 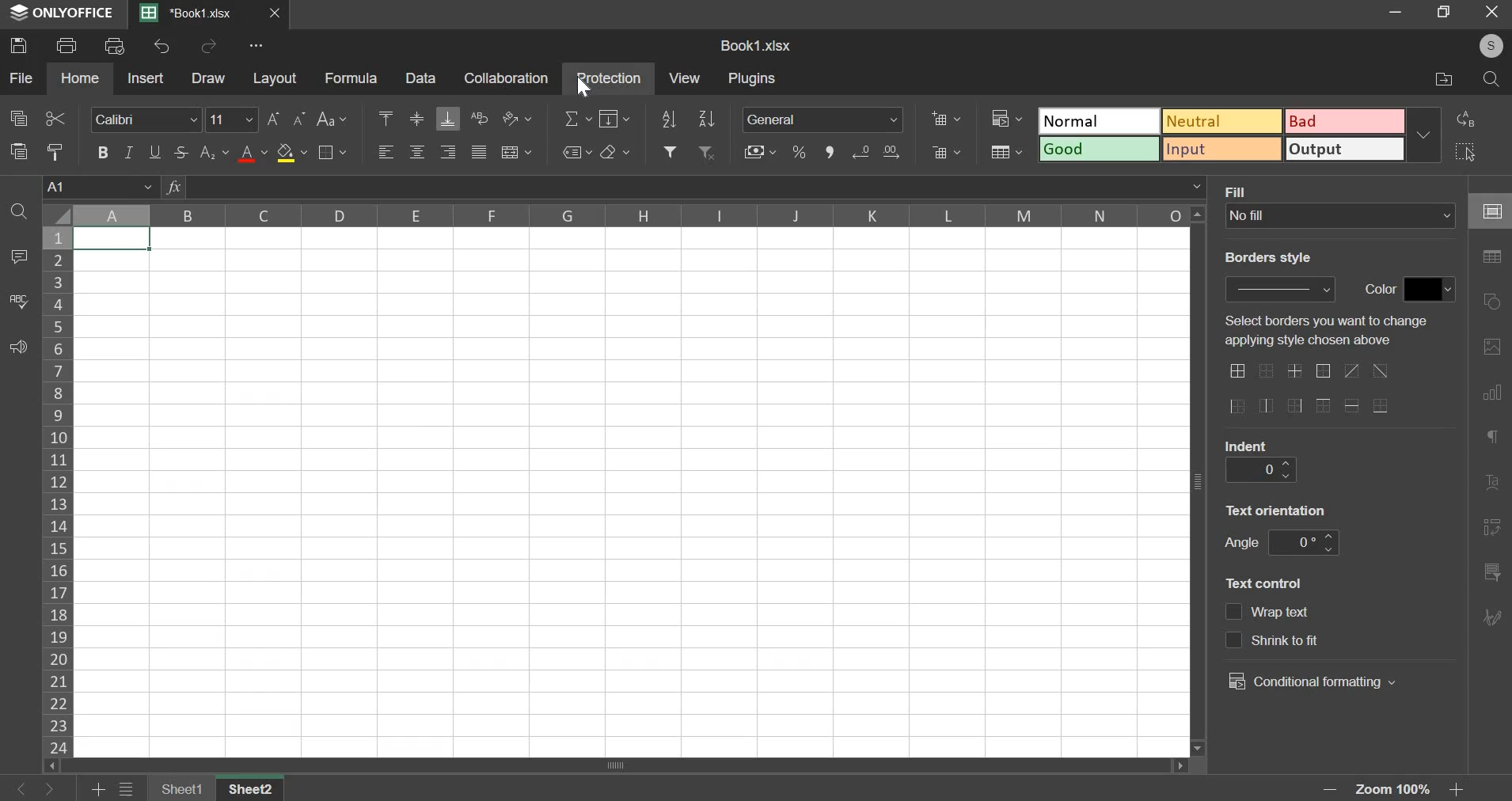 I want to click on accounting style, so click(x=758, y=152).